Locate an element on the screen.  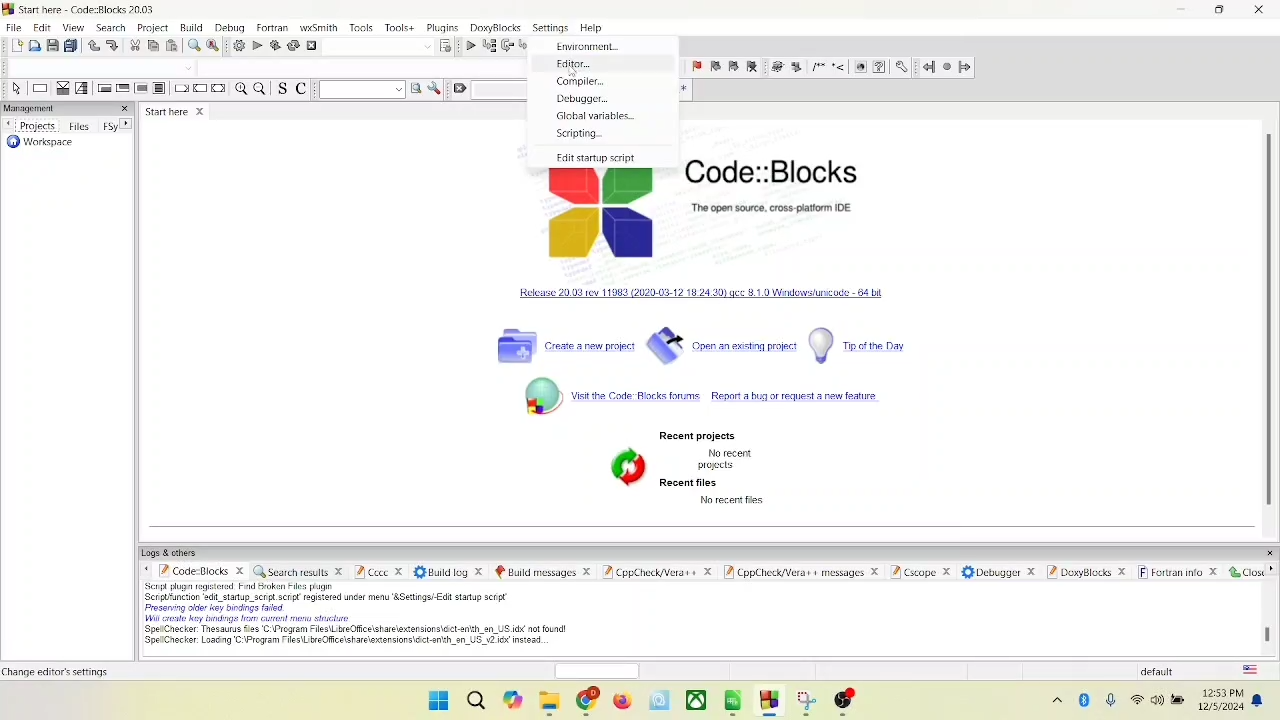
rebuild is located at coordinates (294, 46).